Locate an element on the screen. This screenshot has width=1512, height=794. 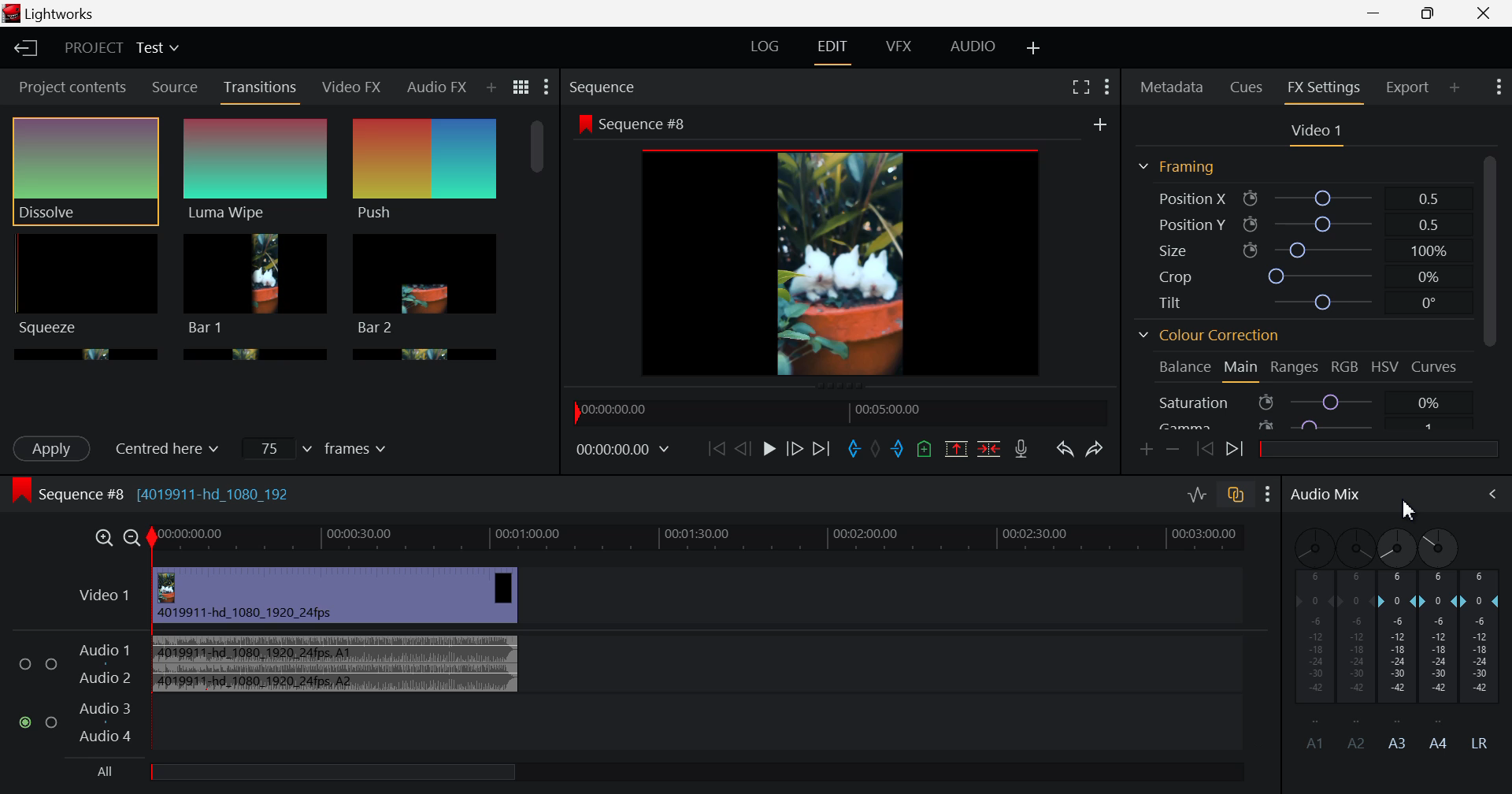
Play is located at coordinates (770, 448).